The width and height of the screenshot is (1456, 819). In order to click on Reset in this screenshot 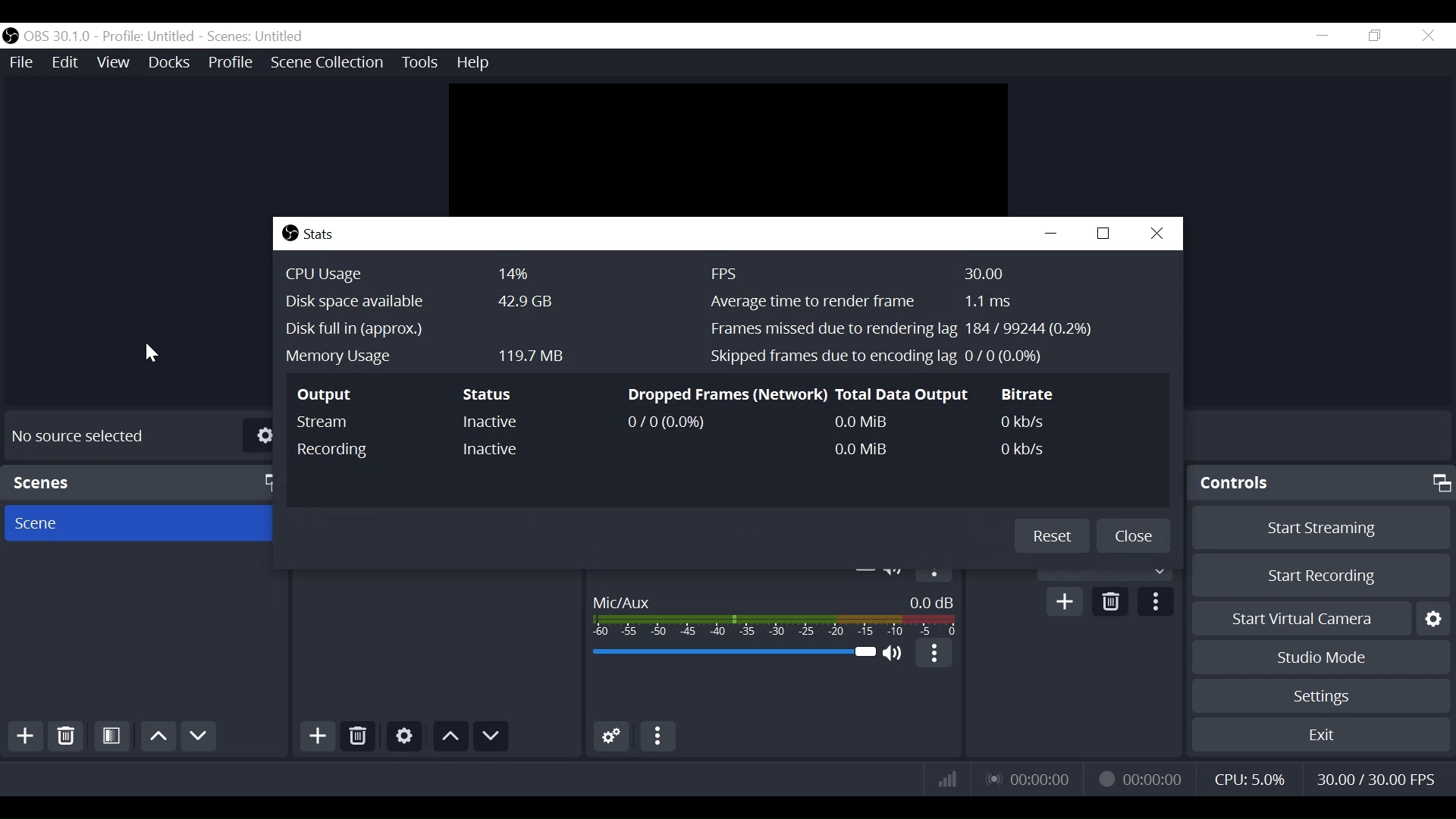, I will do `click(1052, 537)`.